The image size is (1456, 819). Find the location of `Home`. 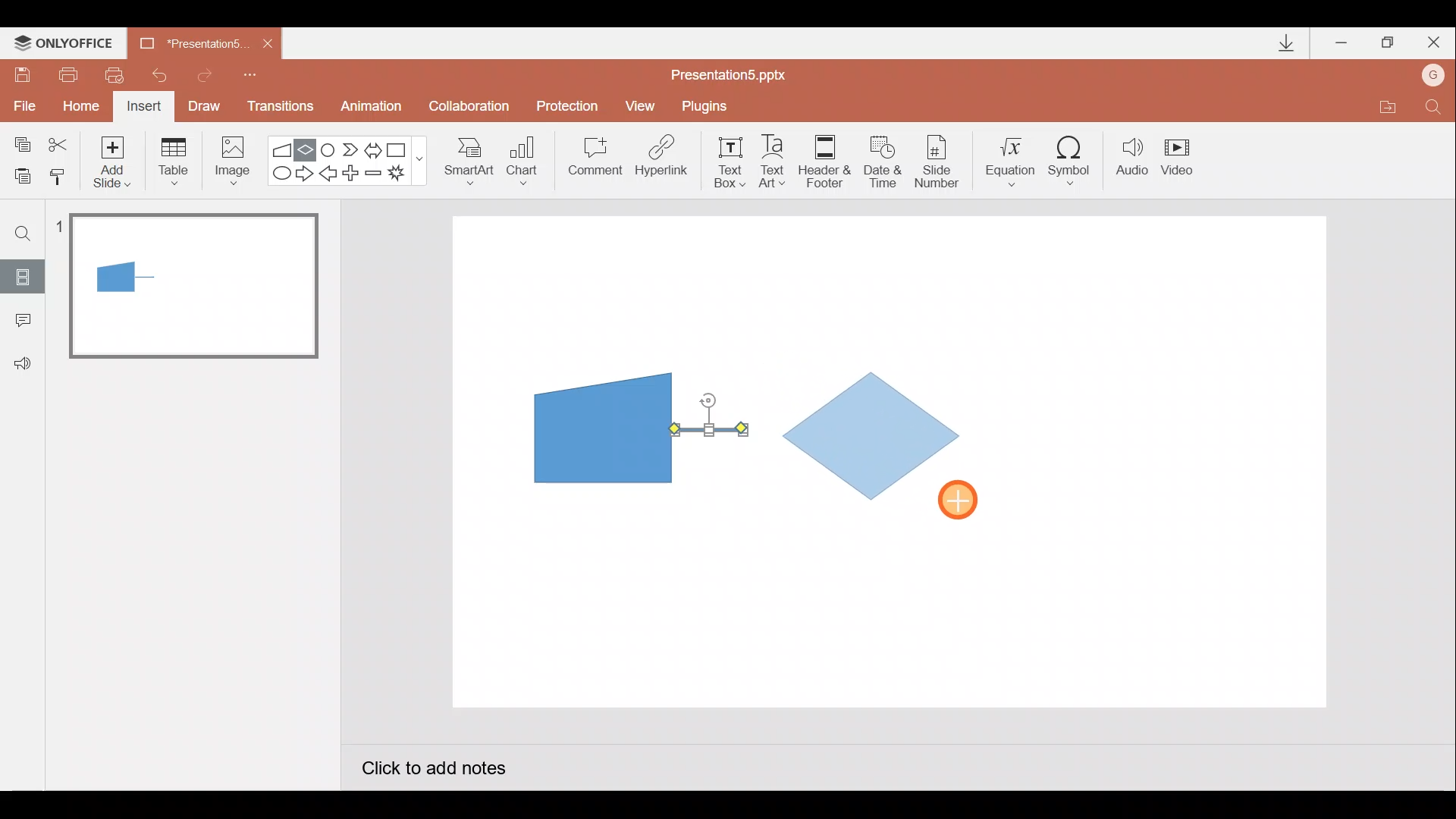

Home is located at coordinates (77, 102).